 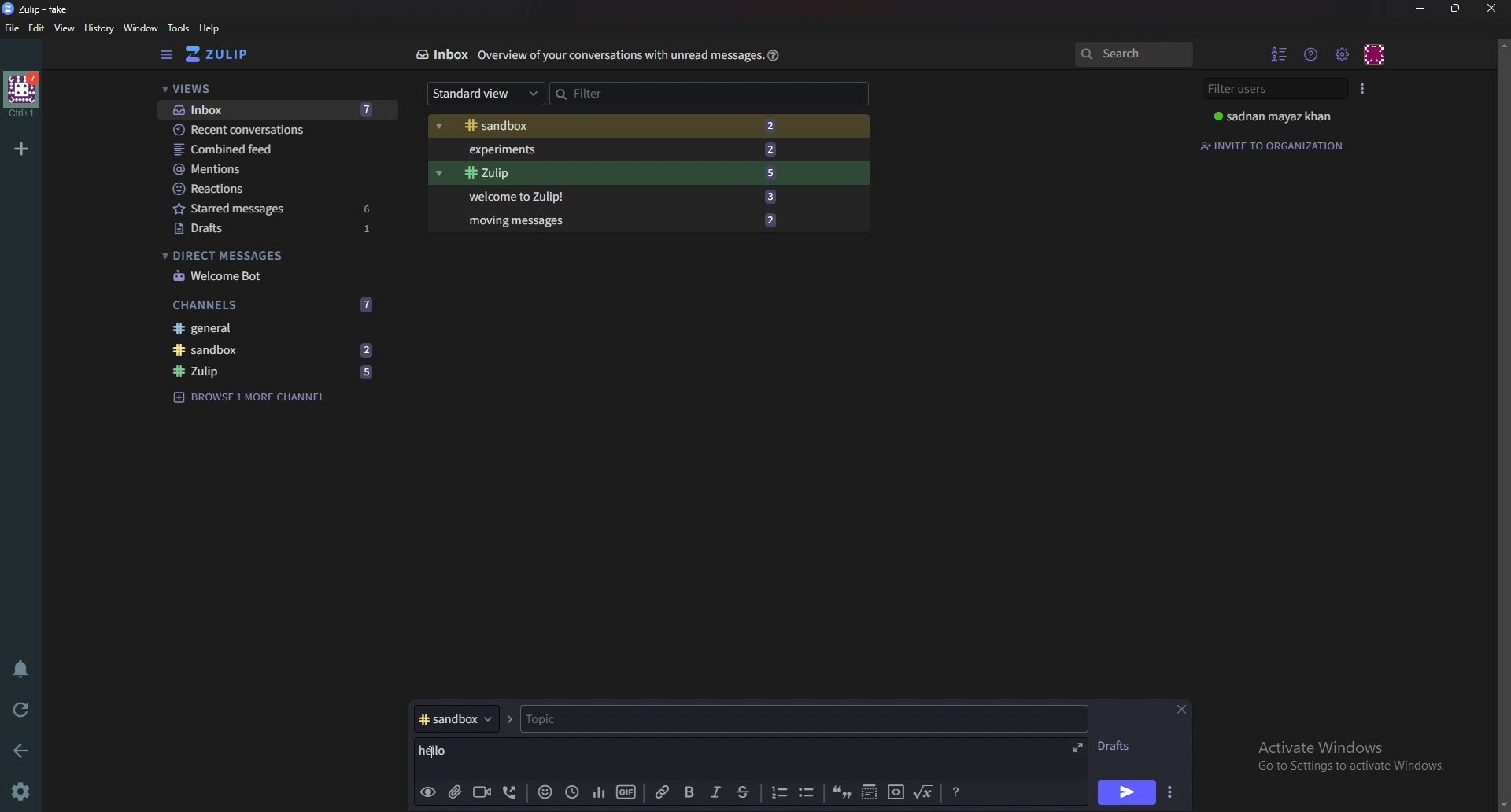 I want to click on Send options, so click(x=1173, y=794).